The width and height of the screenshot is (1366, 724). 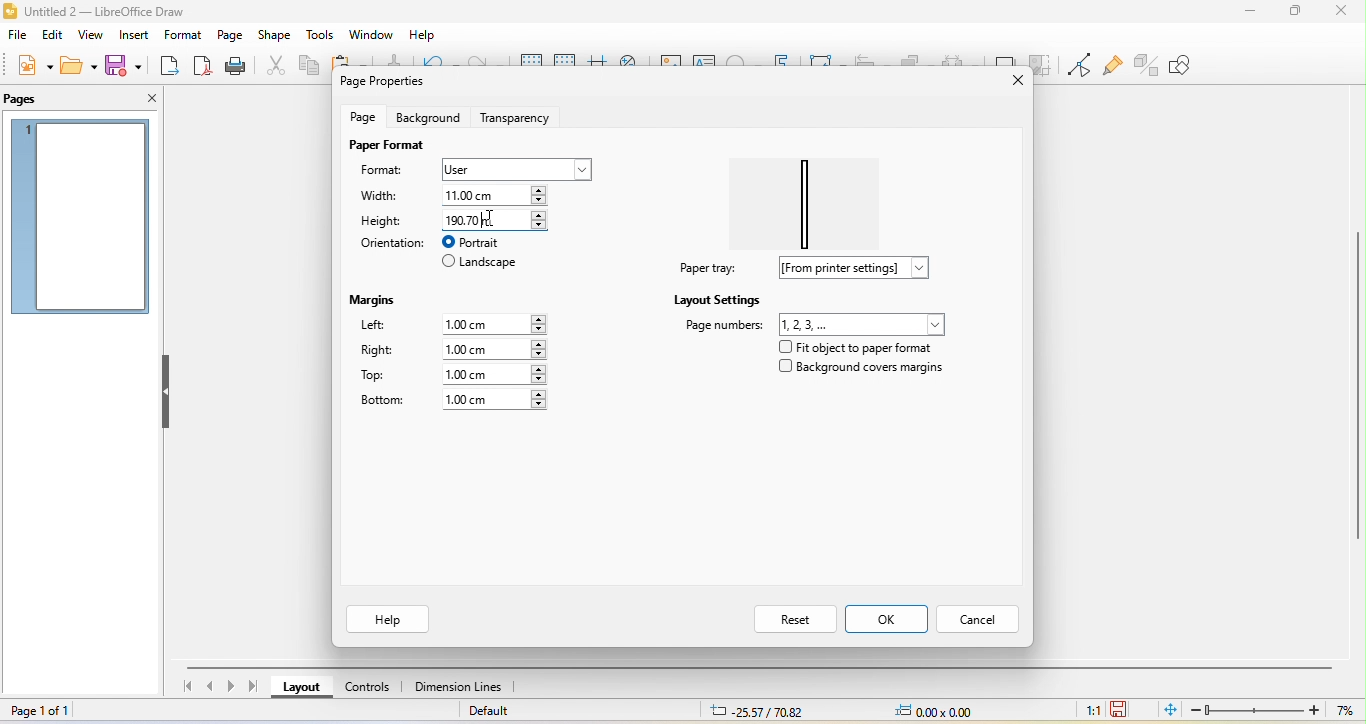 I want to click on 190.70 cm, so click(x=494, y=219).